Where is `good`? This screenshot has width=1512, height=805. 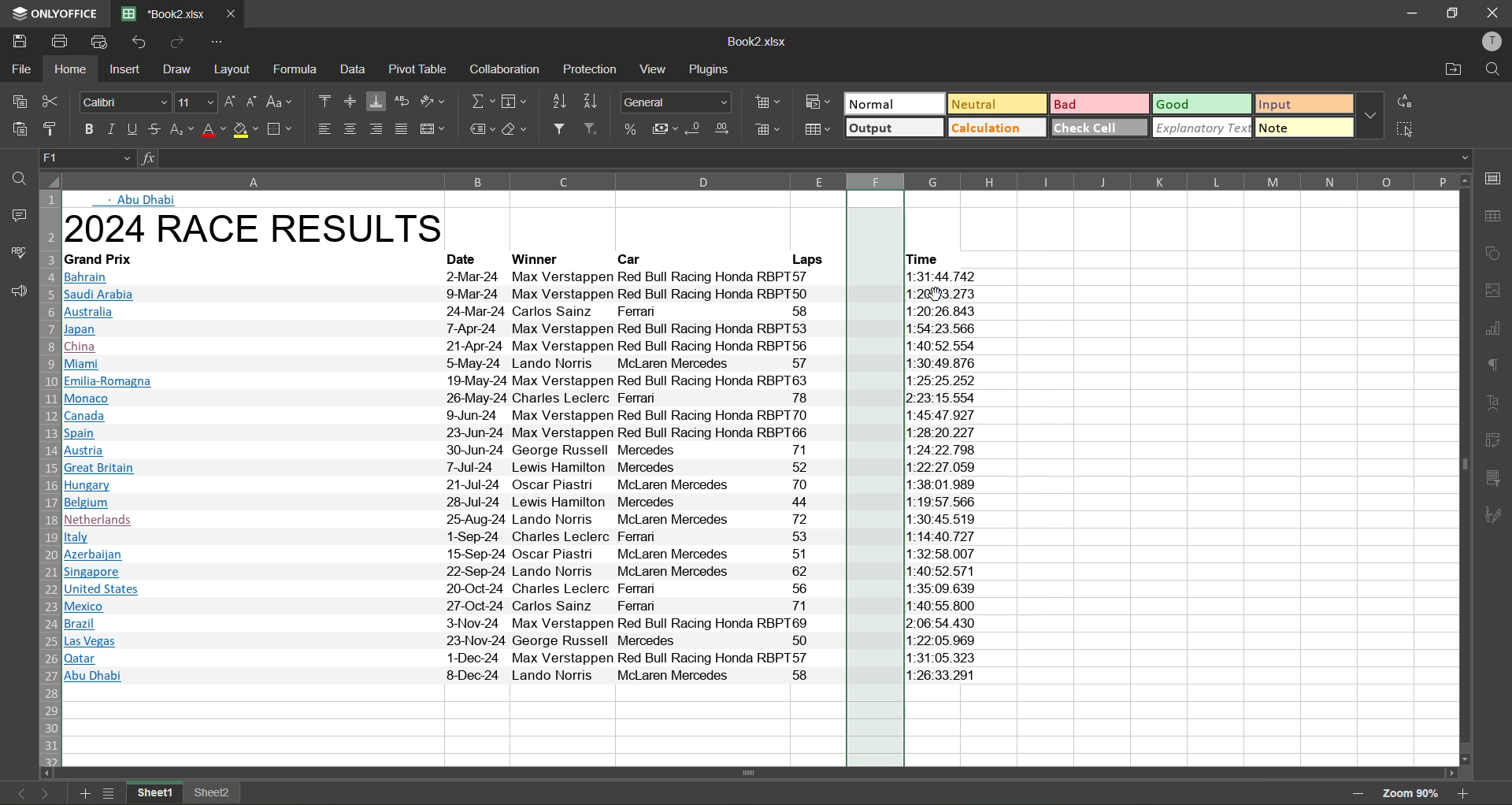
good is located at coordinates (1200, 105).